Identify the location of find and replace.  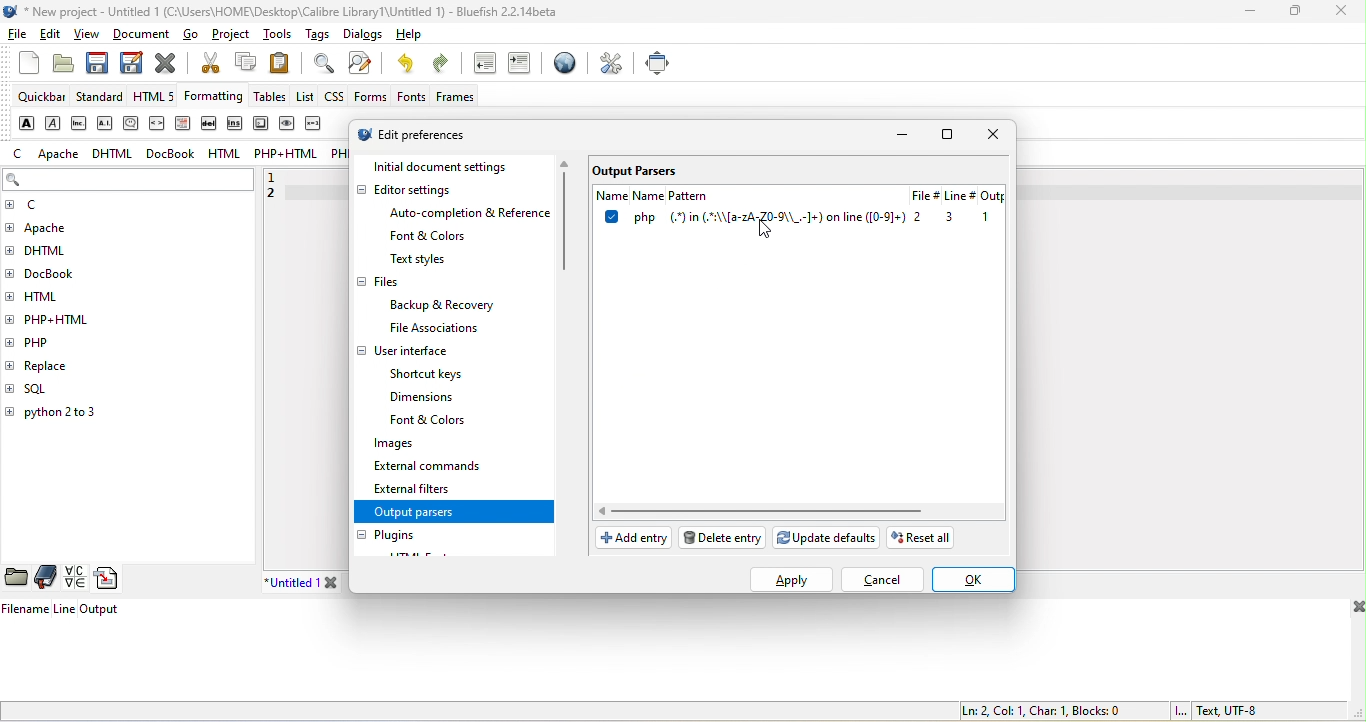
(365, 64).